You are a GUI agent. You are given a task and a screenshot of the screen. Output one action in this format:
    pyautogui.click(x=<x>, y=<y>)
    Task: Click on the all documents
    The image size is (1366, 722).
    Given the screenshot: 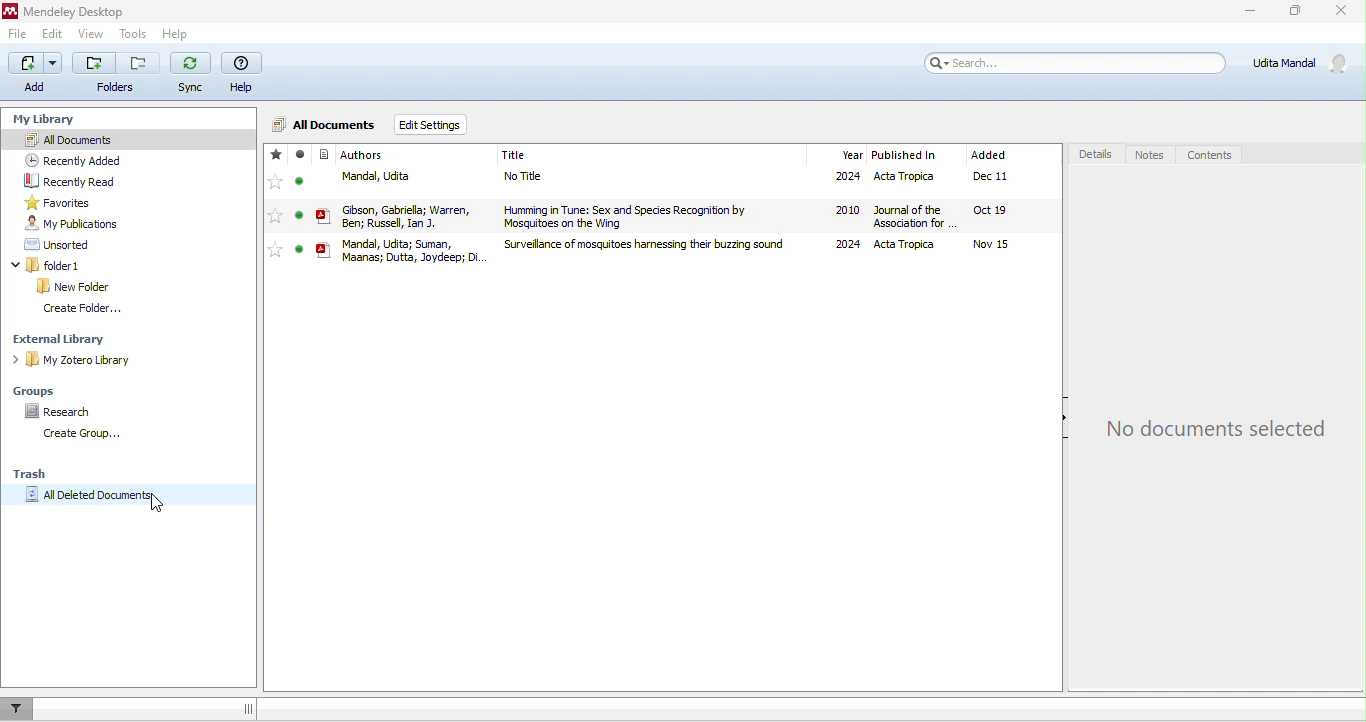 What is the action you would take?
    pyautogui.click(x=323, y=125)
    